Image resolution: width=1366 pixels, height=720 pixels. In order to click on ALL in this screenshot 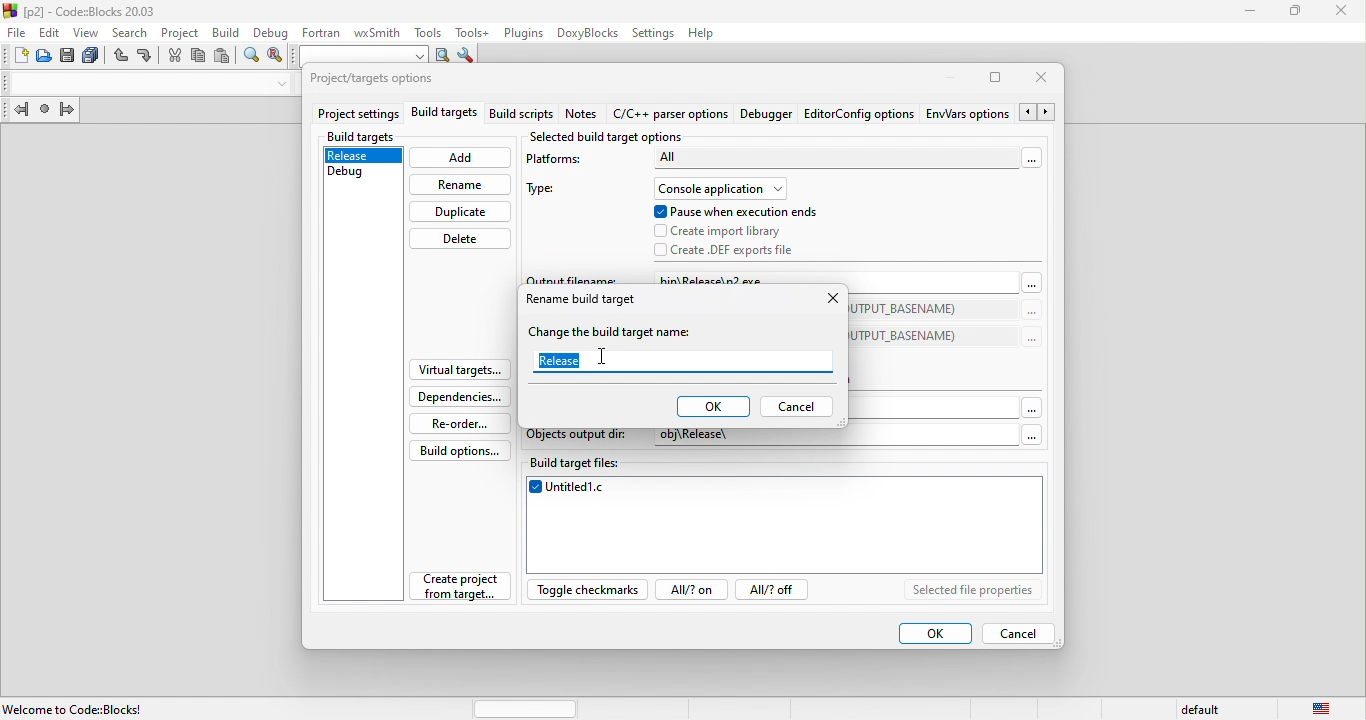, I will do `click(834, 158)`.